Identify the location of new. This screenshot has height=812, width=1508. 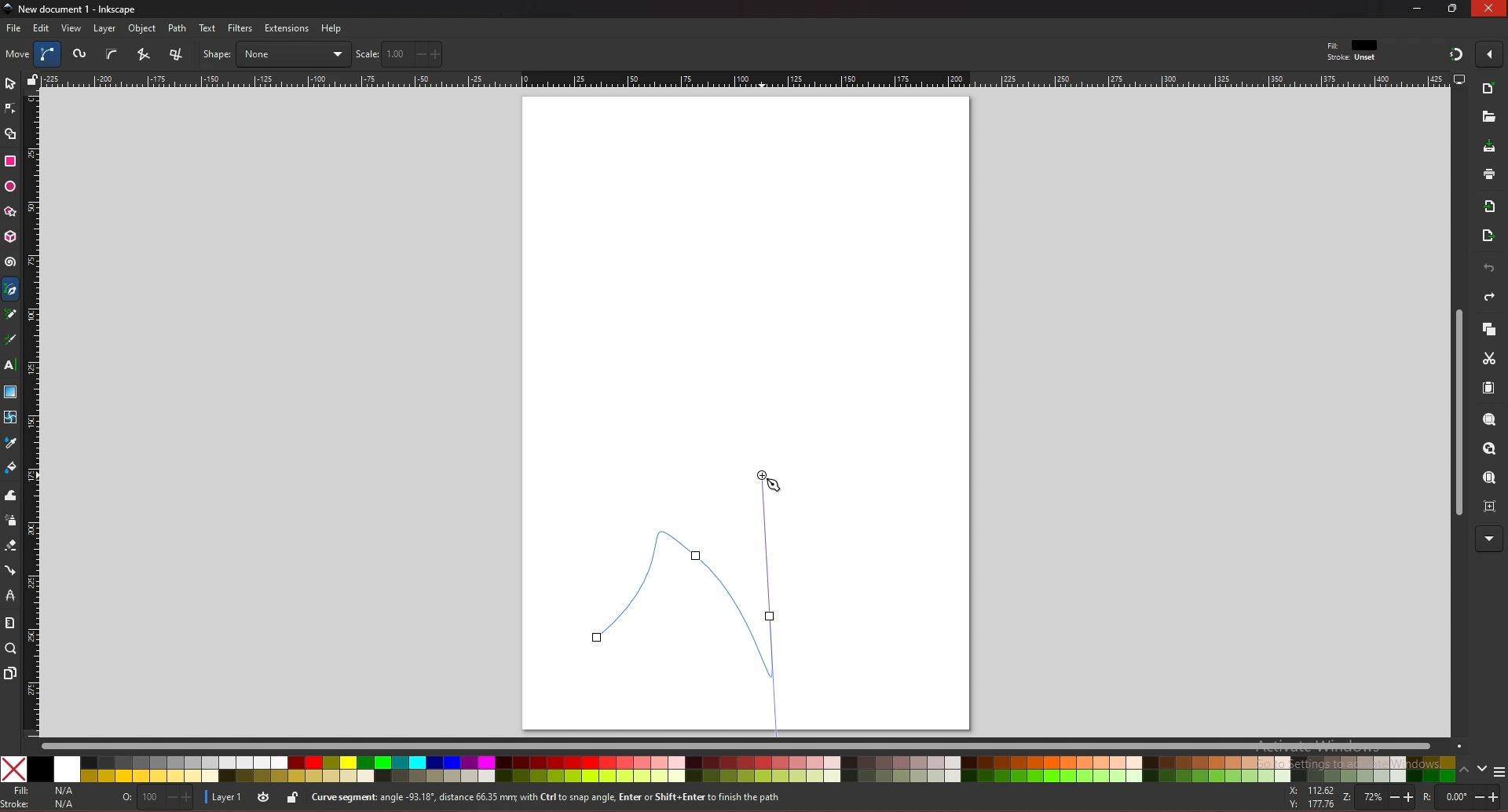
(1489, 90).